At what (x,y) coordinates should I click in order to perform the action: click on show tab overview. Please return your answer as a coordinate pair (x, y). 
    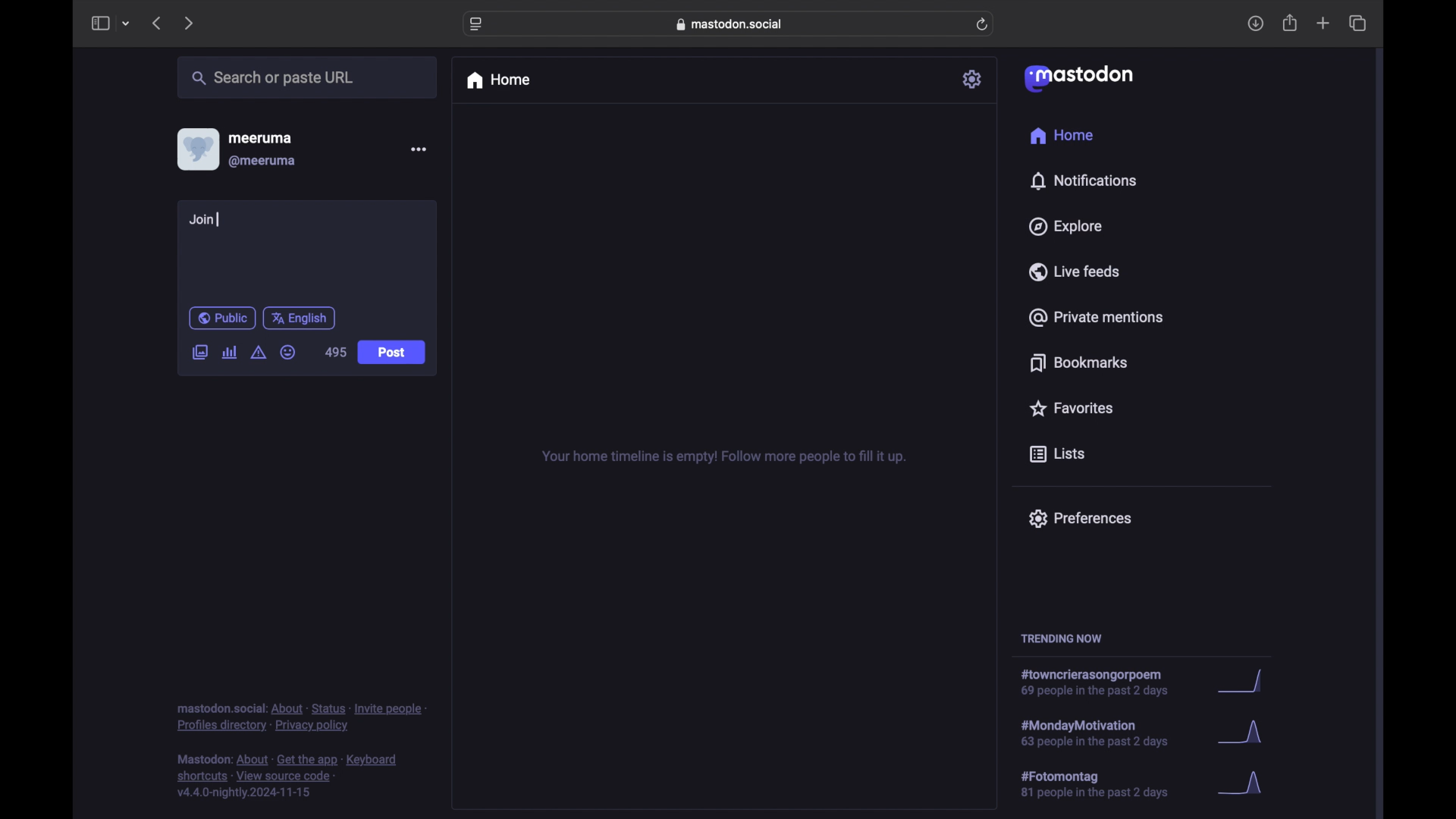
    Looking at the image, I should click on (1357, 24).